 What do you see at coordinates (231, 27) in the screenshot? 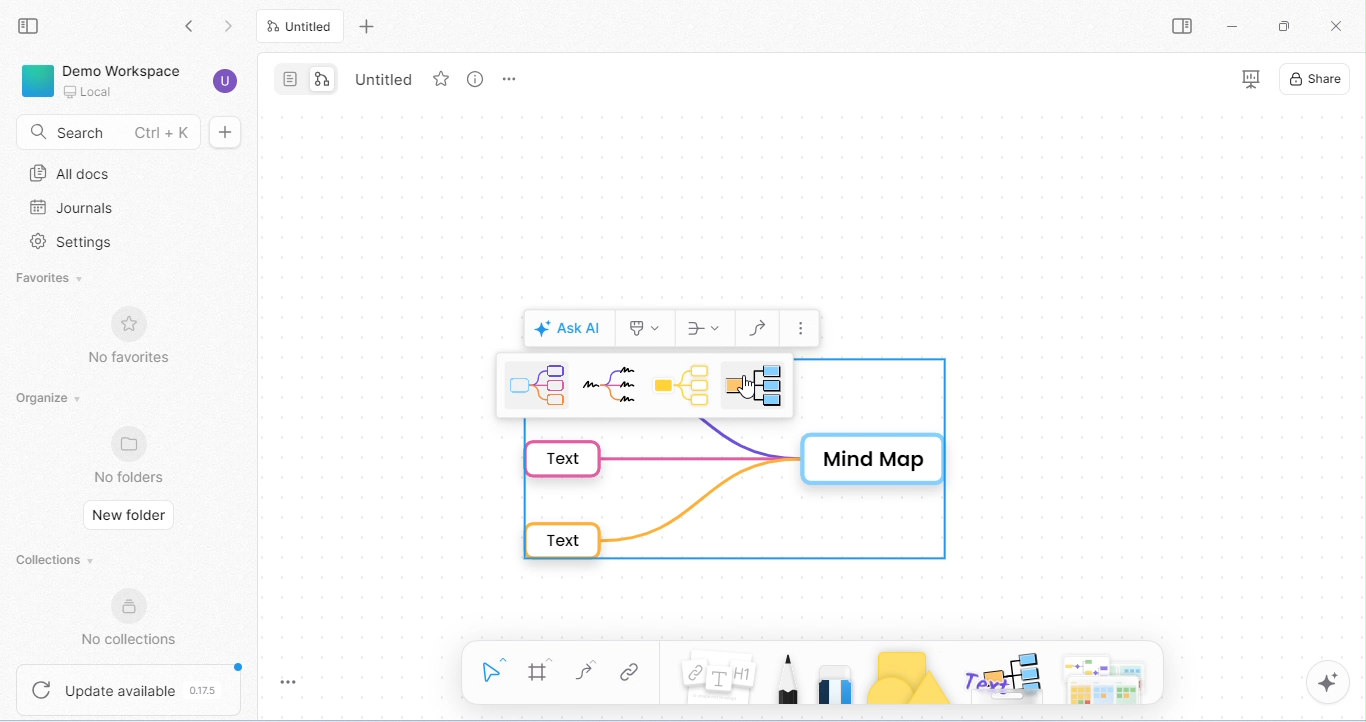
I see `go forward` at bounding box center [231, 27].